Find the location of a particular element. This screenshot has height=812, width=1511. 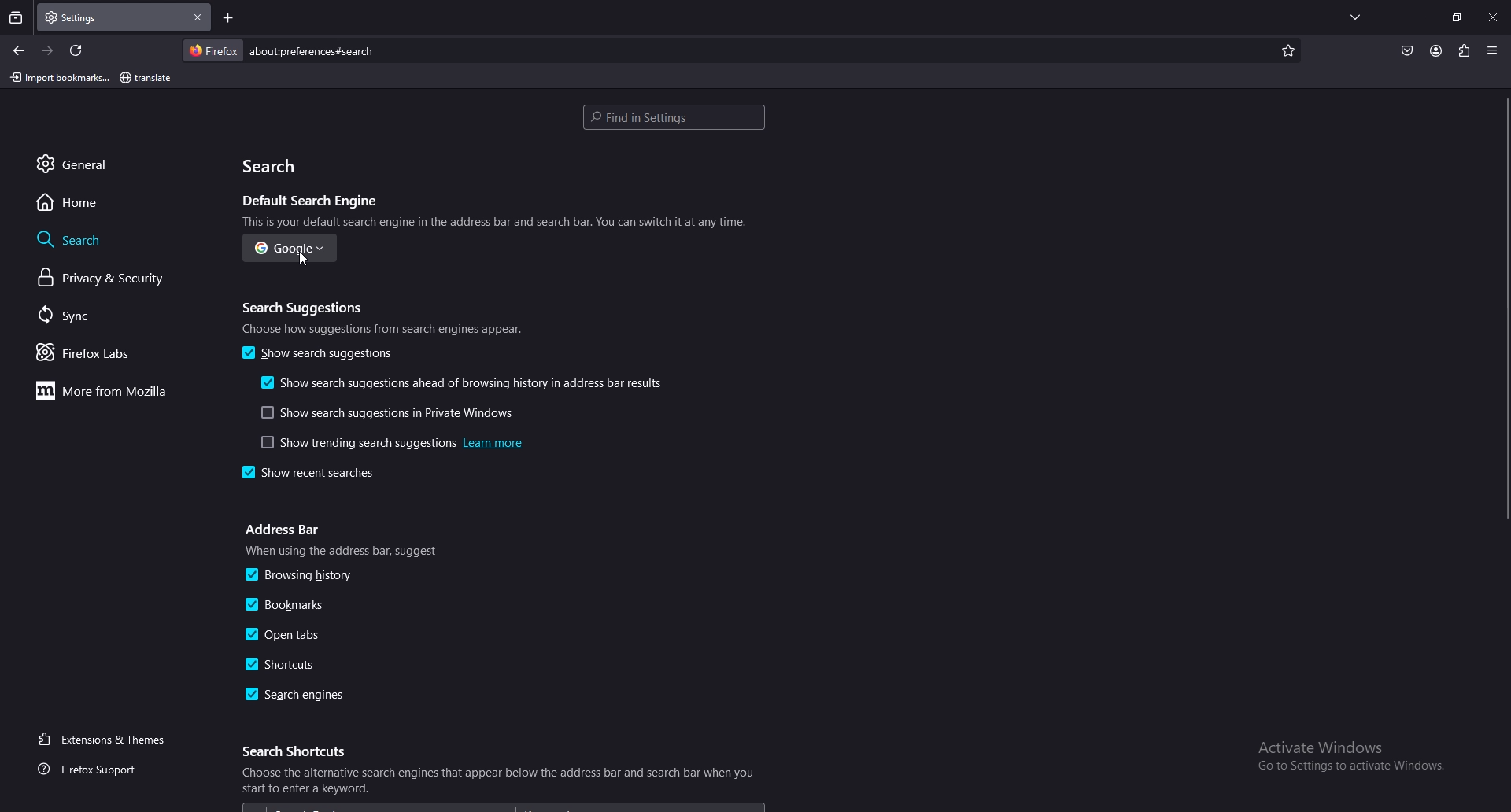

more from mozilla is located at coordinates (113, 391).